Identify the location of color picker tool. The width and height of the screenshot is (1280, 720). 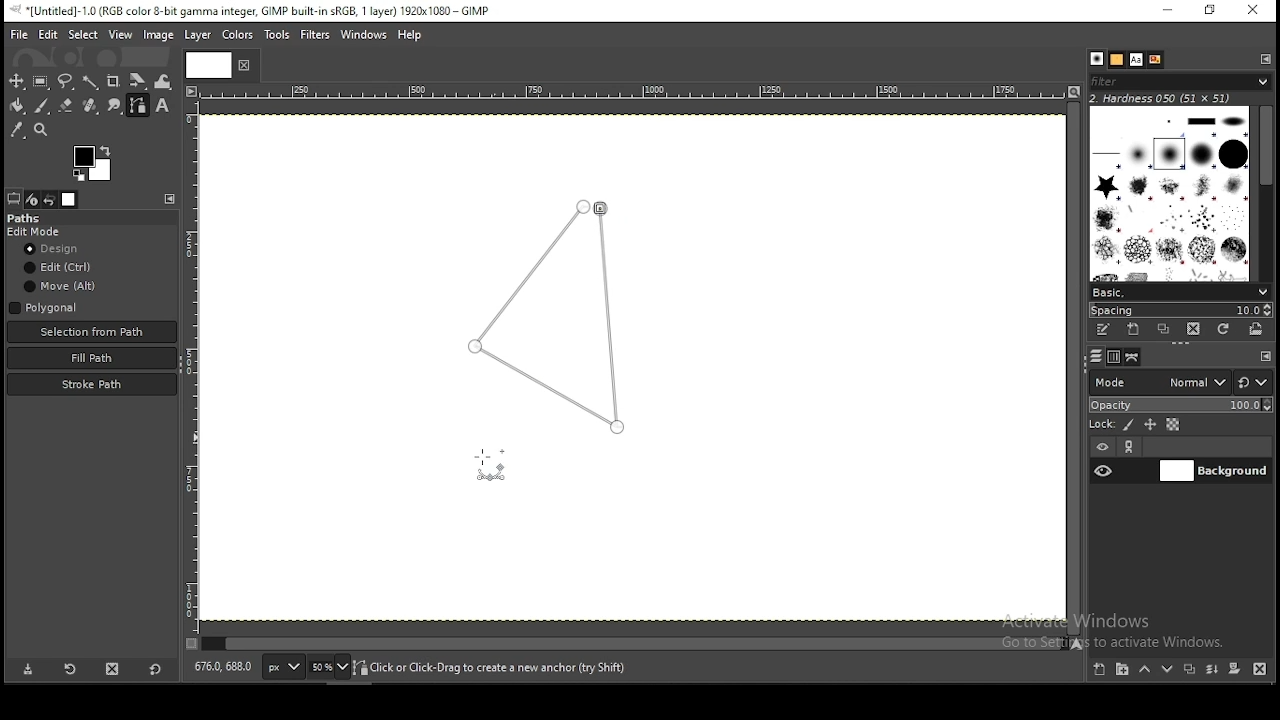
(18, 130).